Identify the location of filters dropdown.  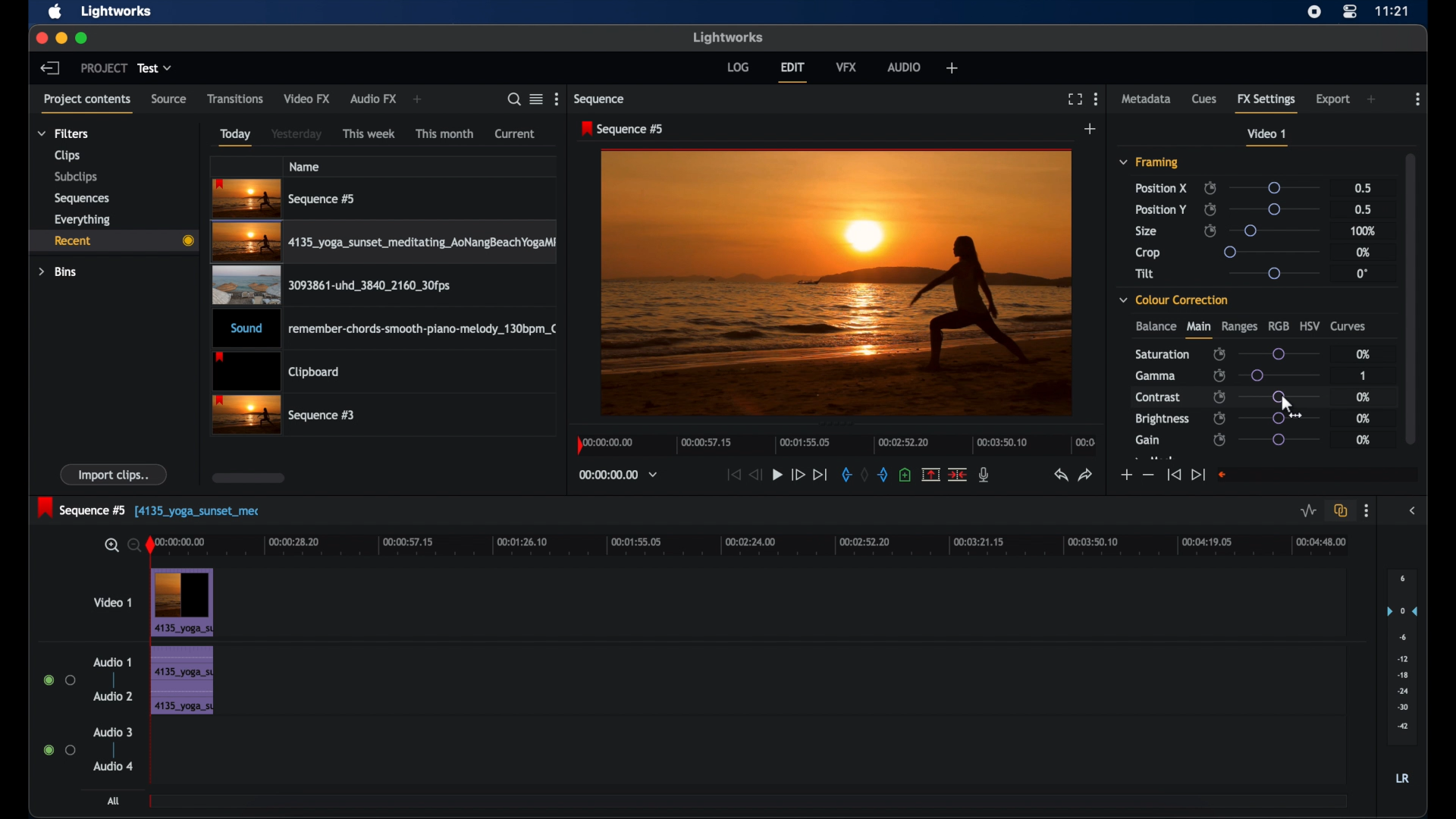
(67, 134).